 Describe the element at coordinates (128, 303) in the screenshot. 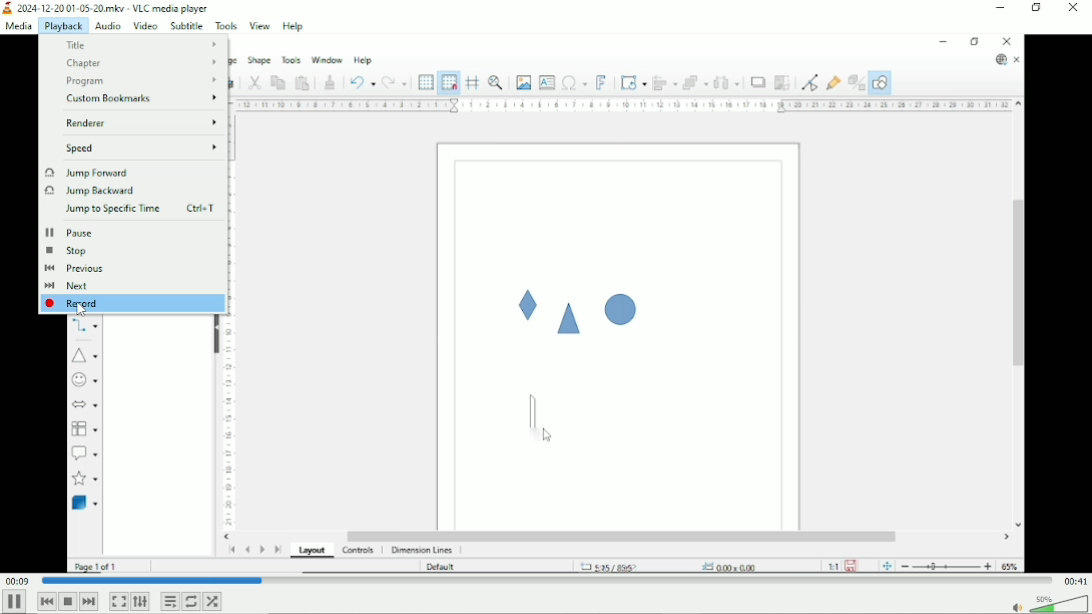

I see `Record` at that location.